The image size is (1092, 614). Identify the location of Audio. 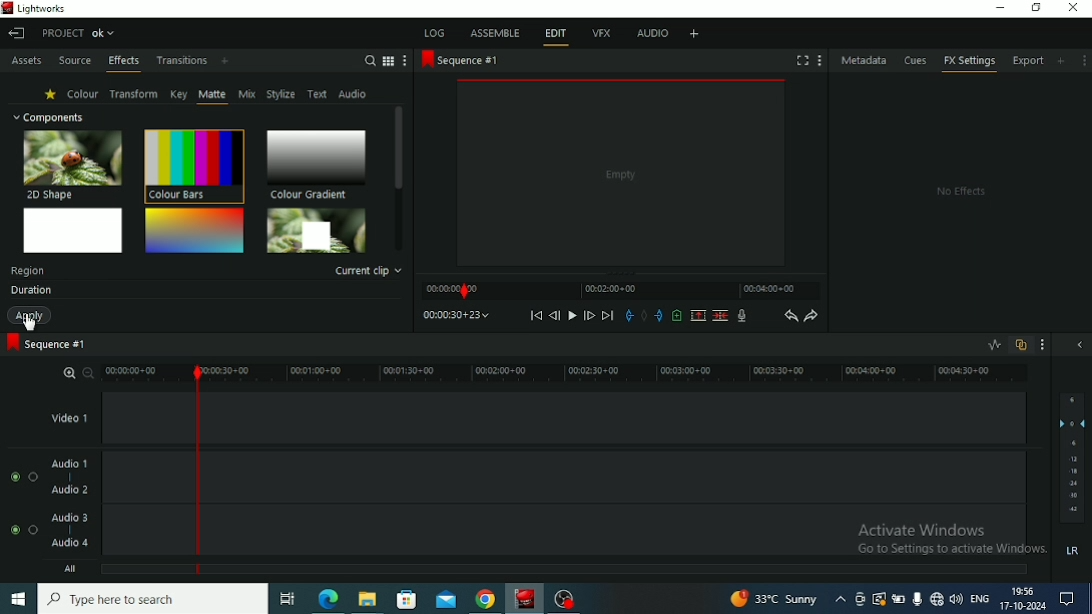
(652, 35).